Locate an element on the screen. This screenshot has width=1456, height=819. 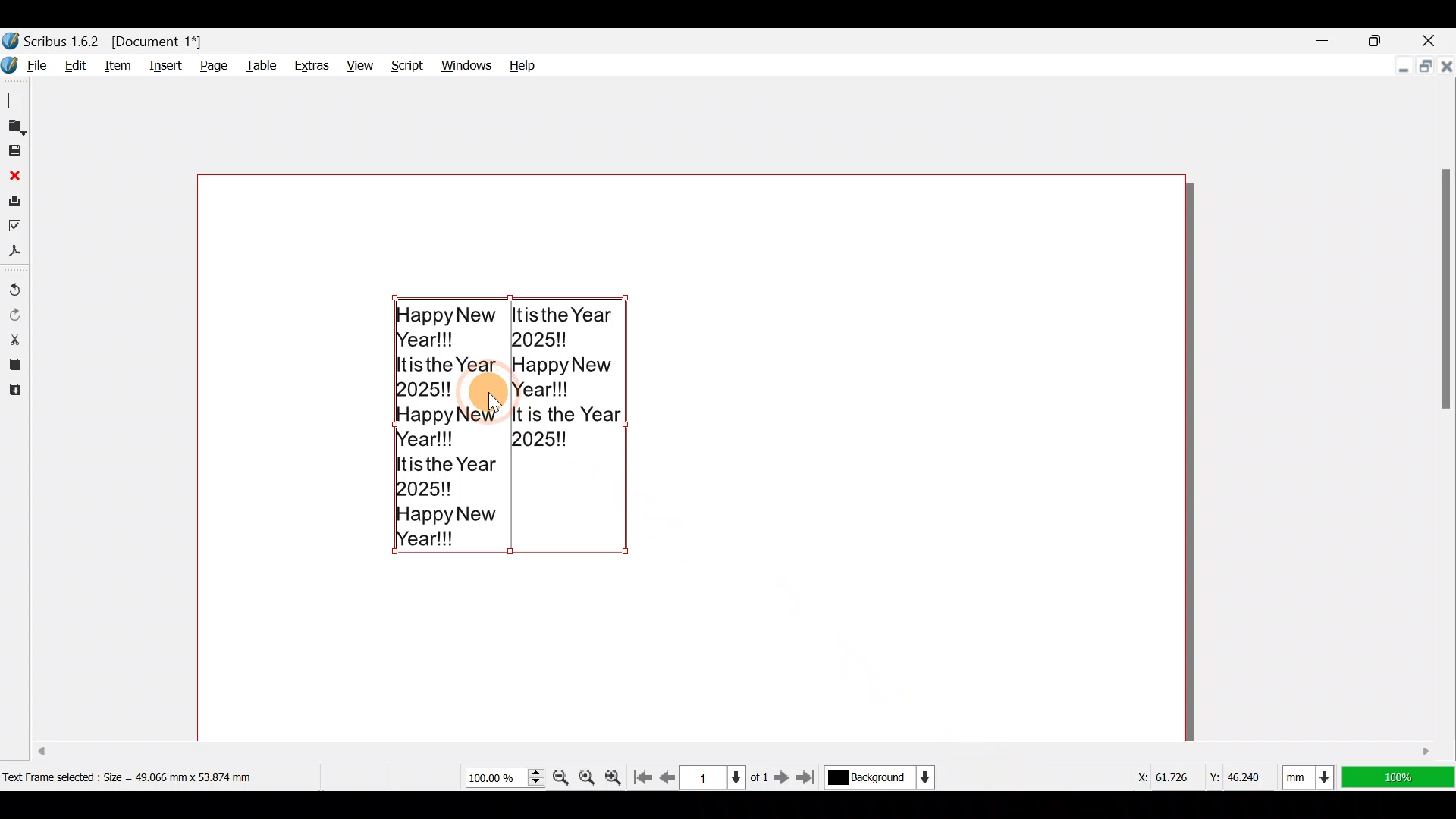
100% zoom ratio is located at coordinates (1401, 777).